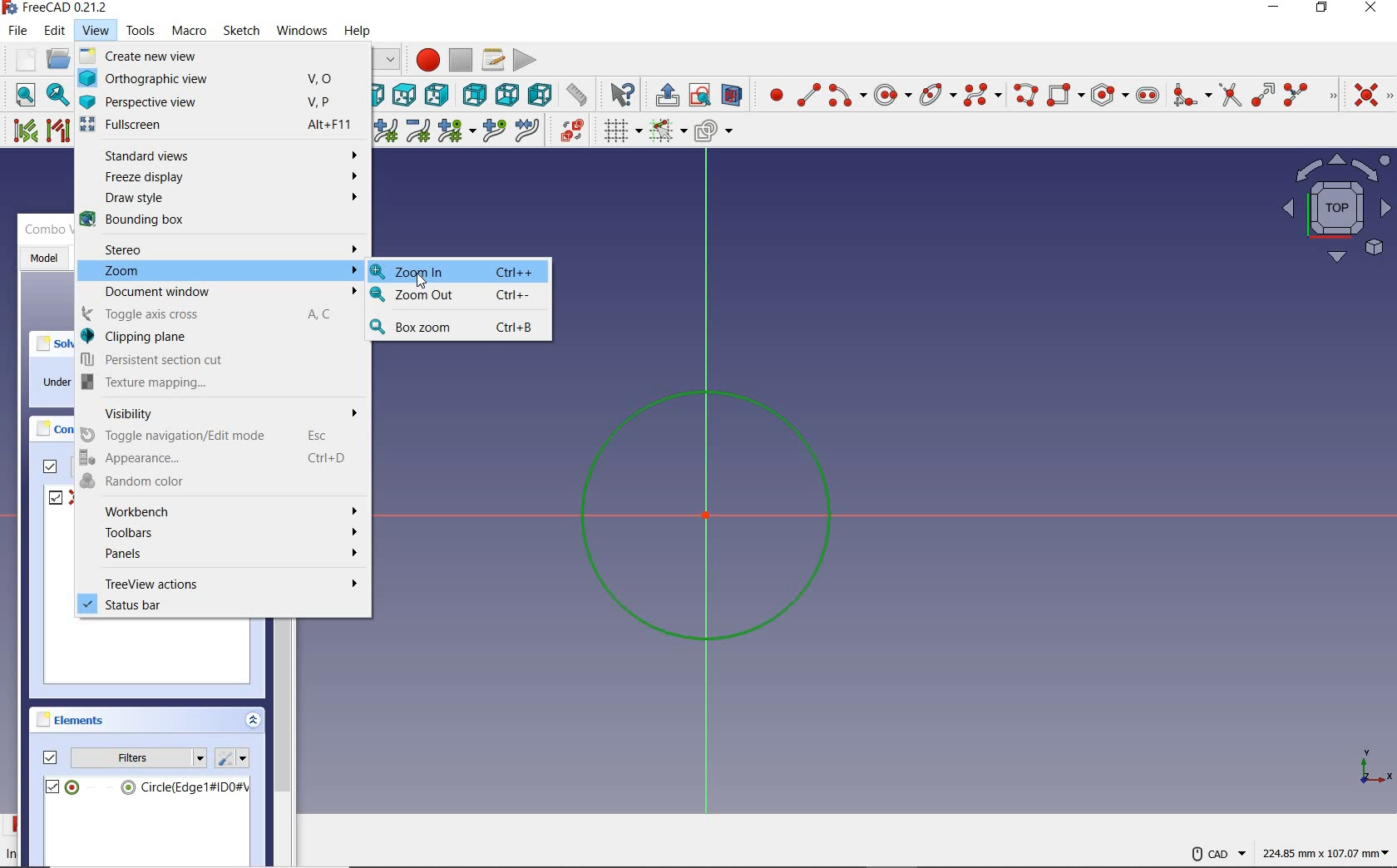 The height and width of the screenshot is (868, 1397). I want to click on create arc, so click(847, 96).